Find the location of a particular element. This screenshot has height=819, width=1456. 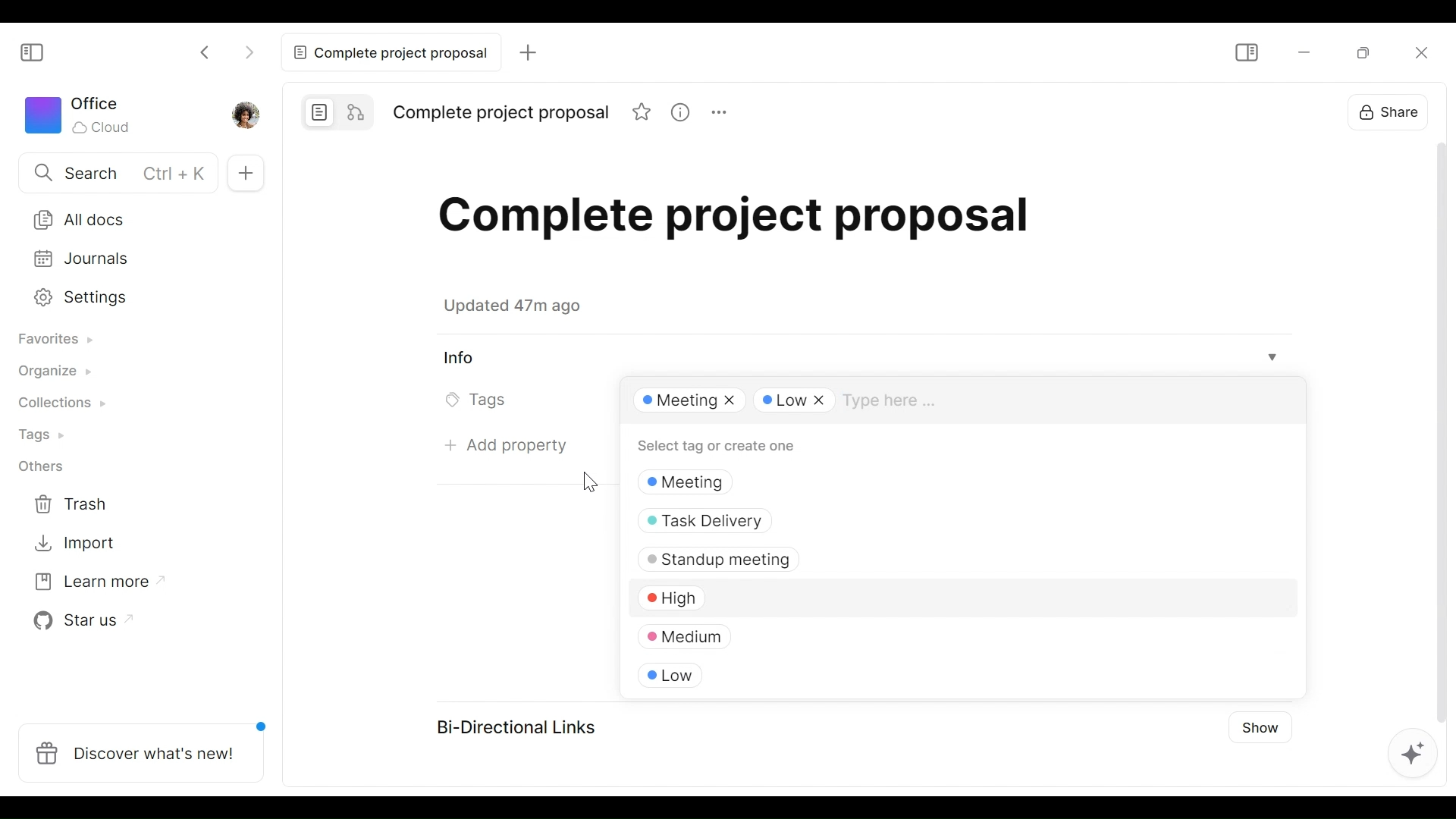

Scroll is located at coordinates (1295, 544).